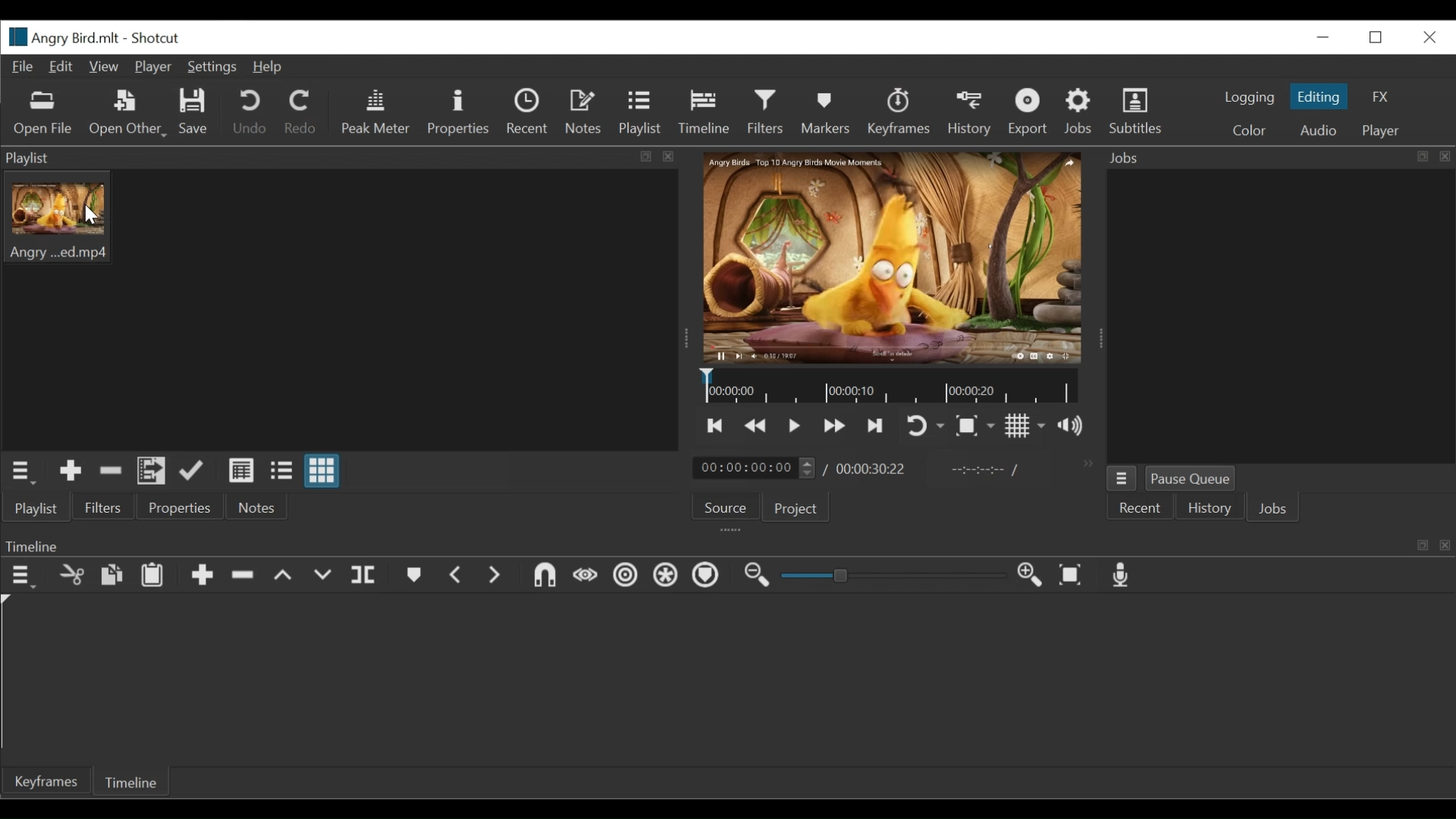  I want to click on Open Other File, so click(125, 113).